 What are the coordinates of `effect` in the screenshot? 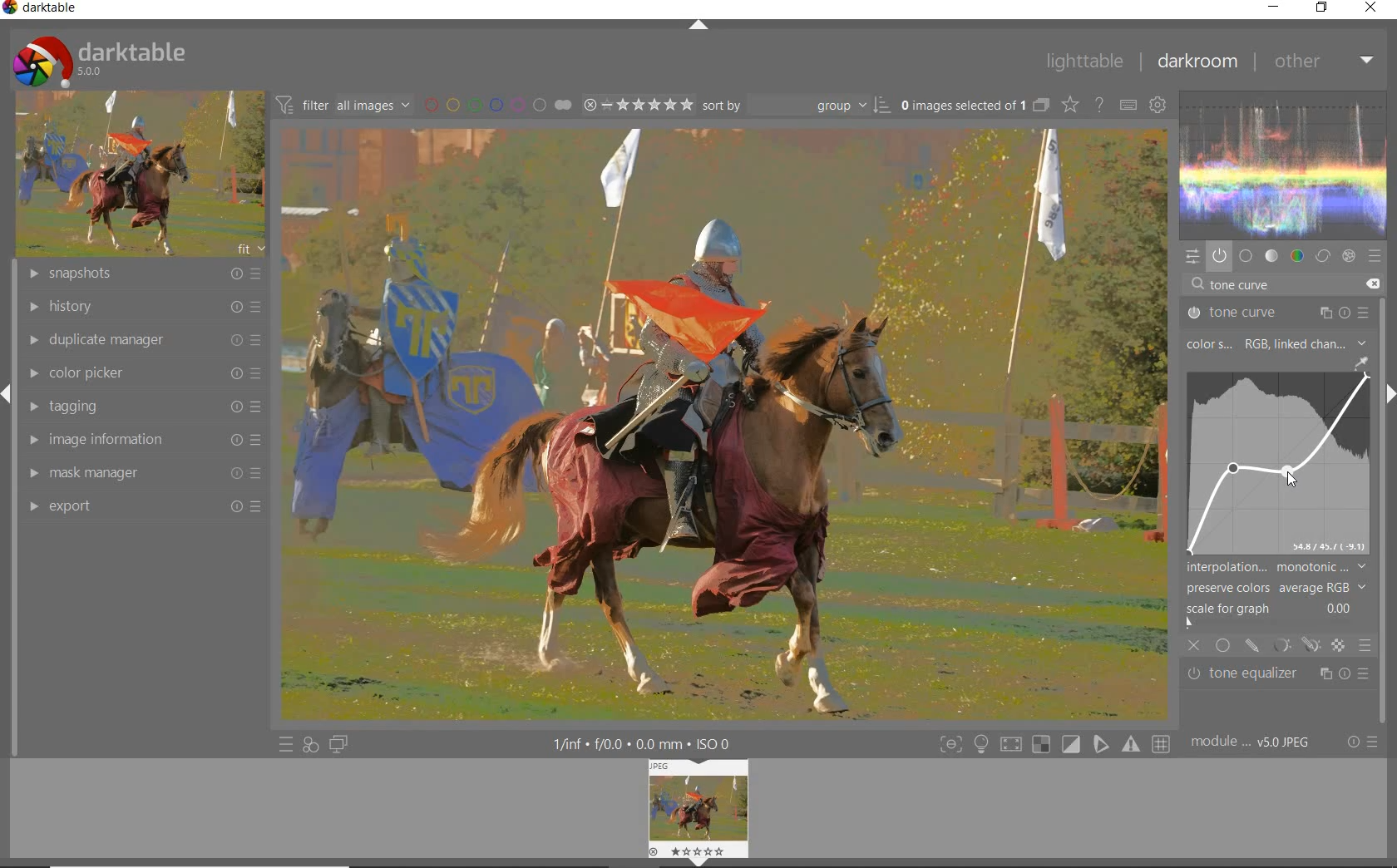 It's located at (1347, 256).